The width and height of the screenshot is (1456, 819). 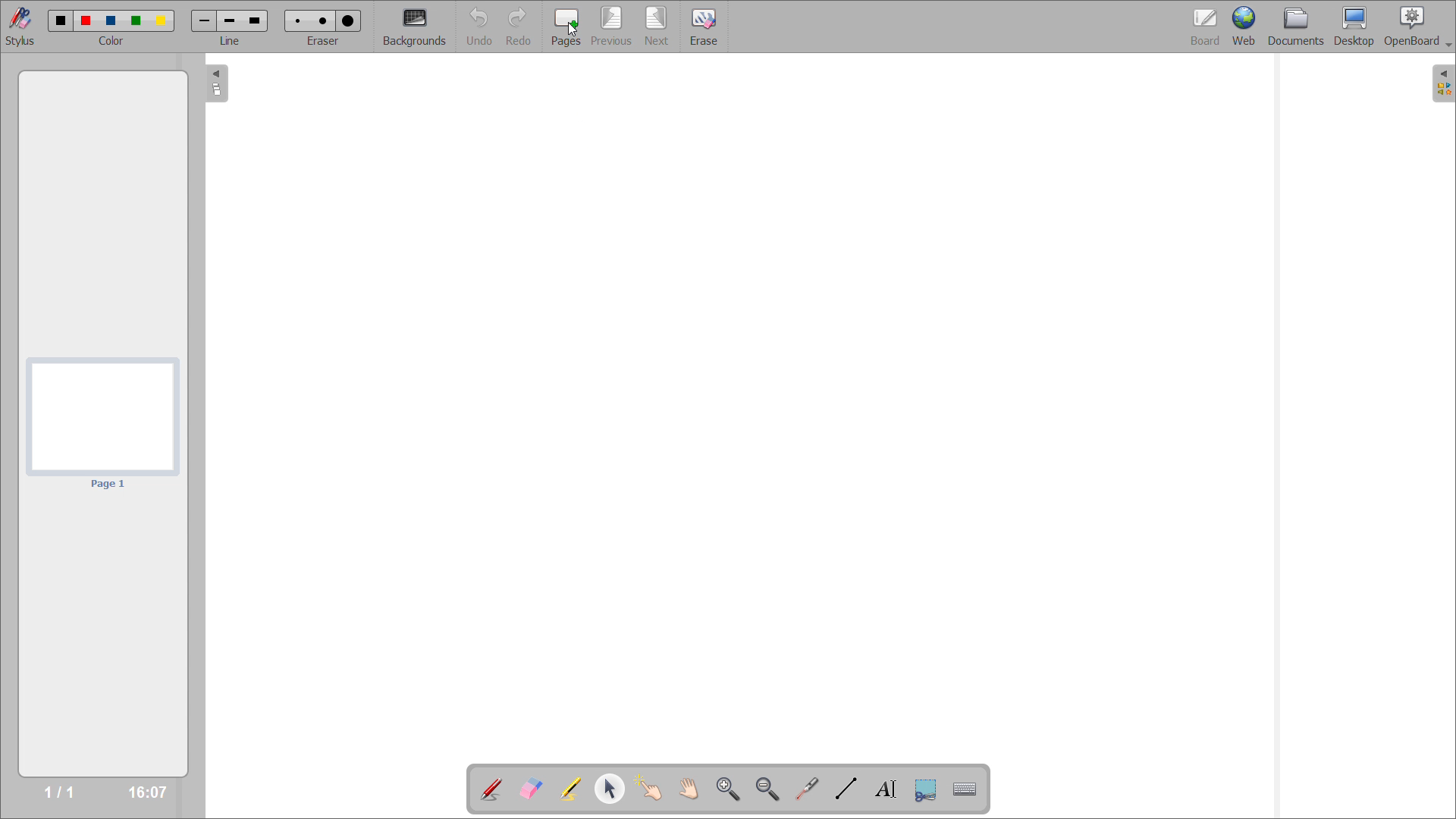 What do you see at coordinates (230, 27) in the screenshot?
I see `line` at bounding box center [230, 27].